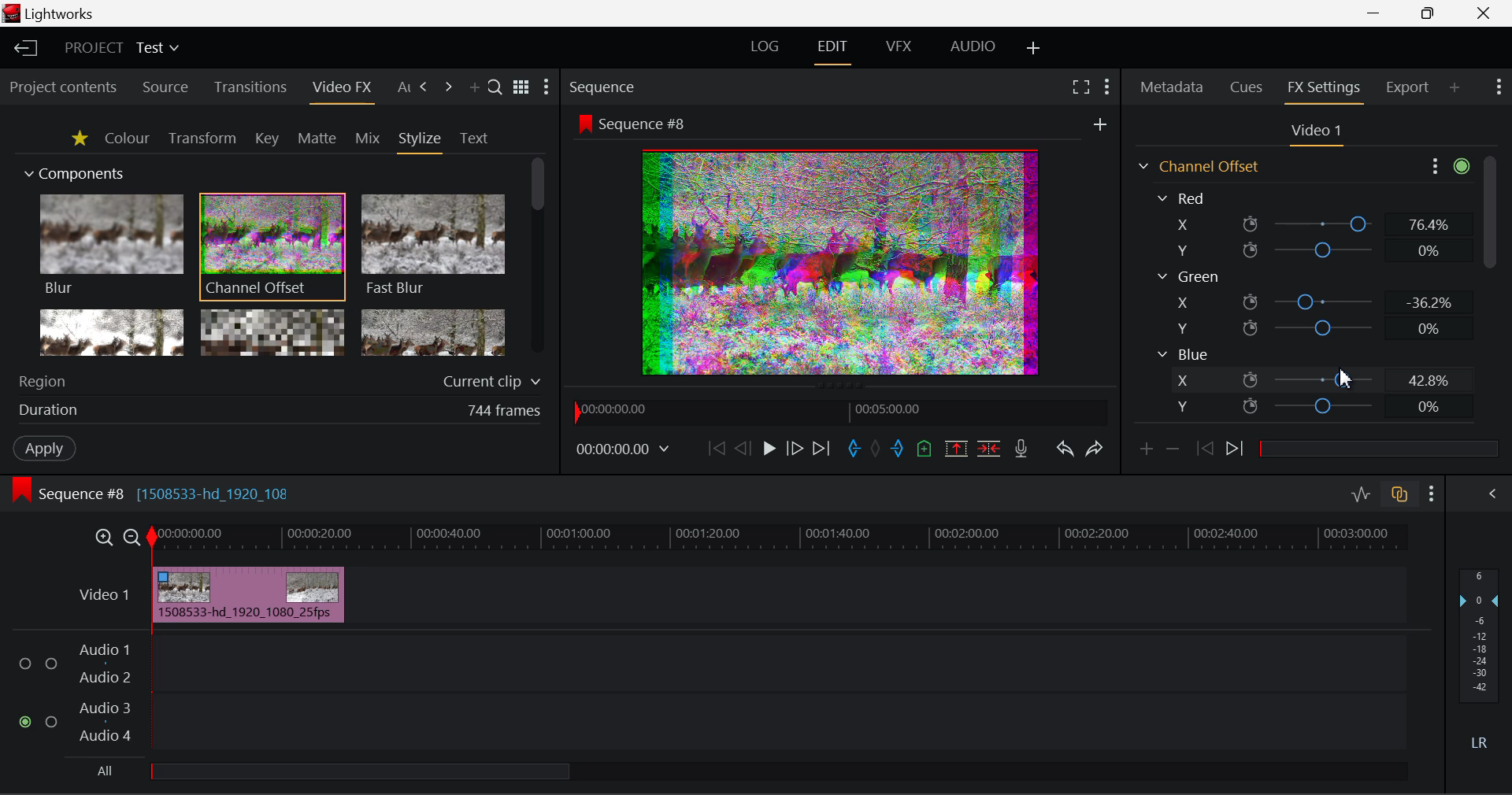 The width and height of the screenshot is (1512, 795). What do you see at coordinates (795, 450) in the screenshot?
I see `Go Forward` at bounding box center [795, 450].